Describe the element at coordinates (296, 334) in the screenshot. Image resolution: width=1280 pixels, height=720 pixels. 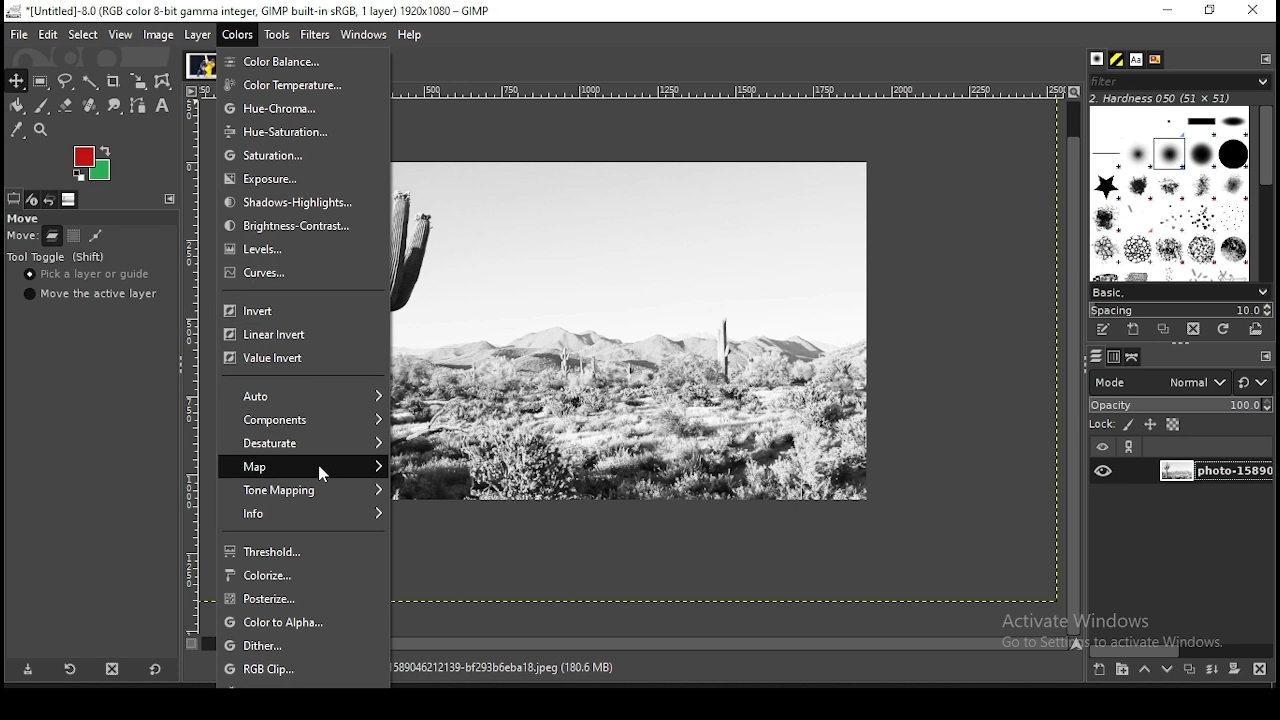
I see `linear invert` at that location.